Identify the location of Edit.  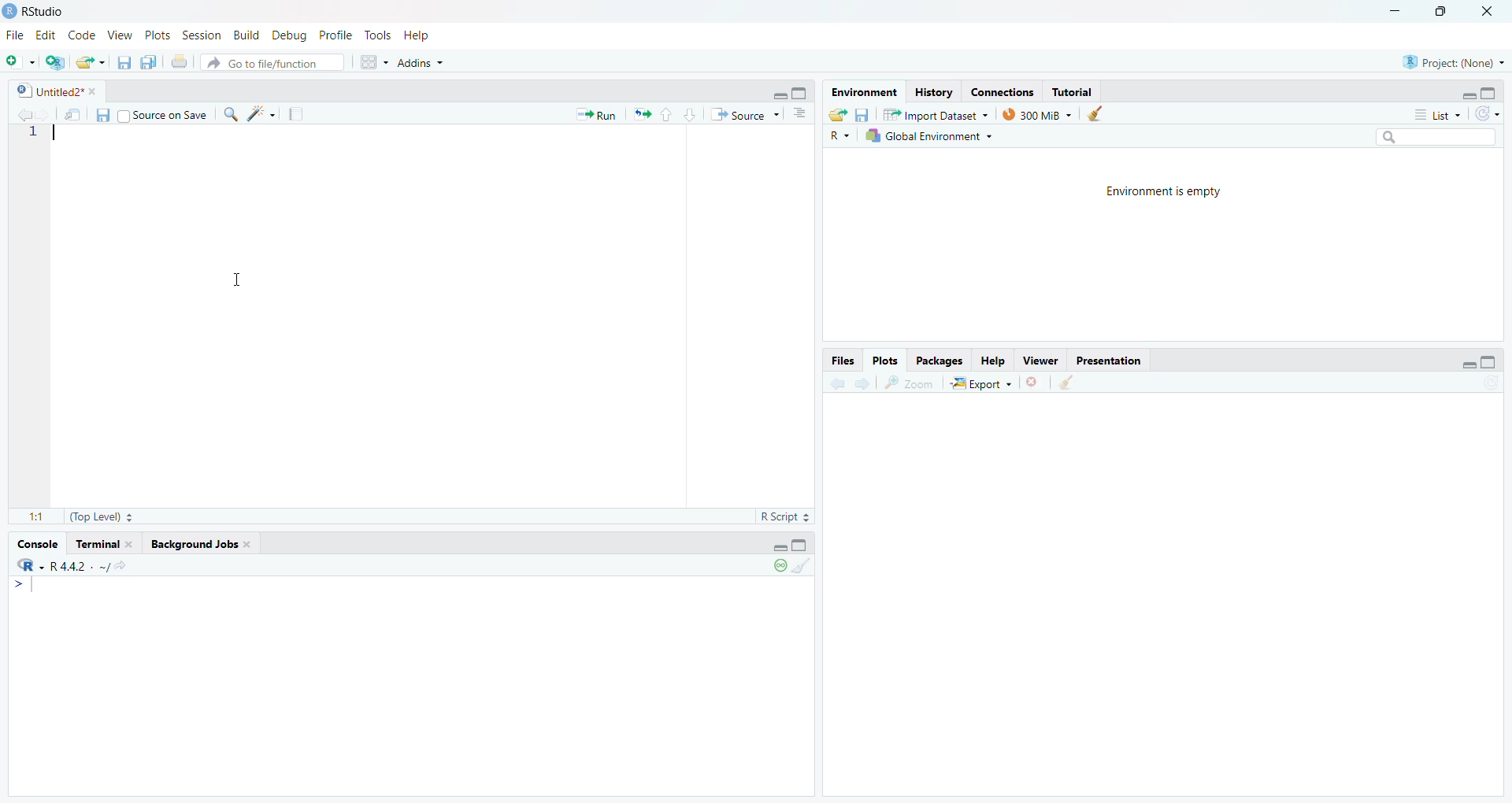
(44, 37).